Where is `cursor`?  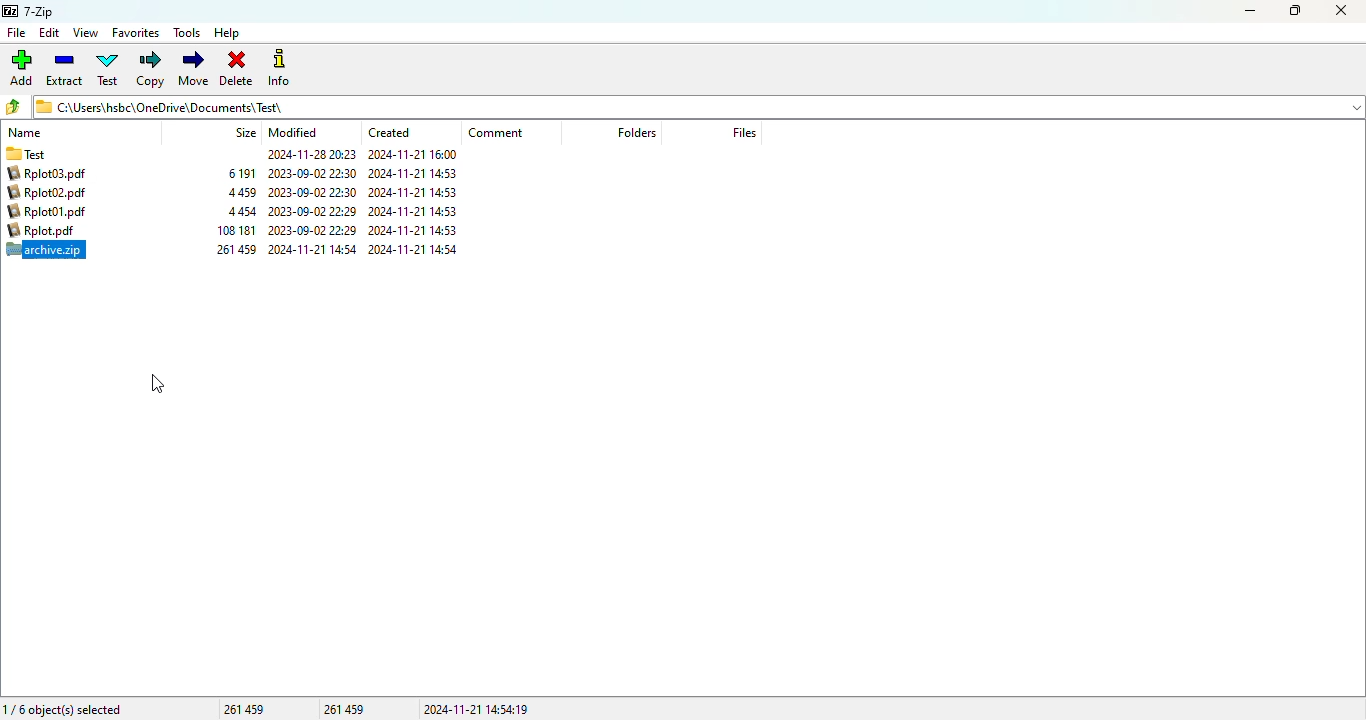
cursor is located at coordinates (158, 384).